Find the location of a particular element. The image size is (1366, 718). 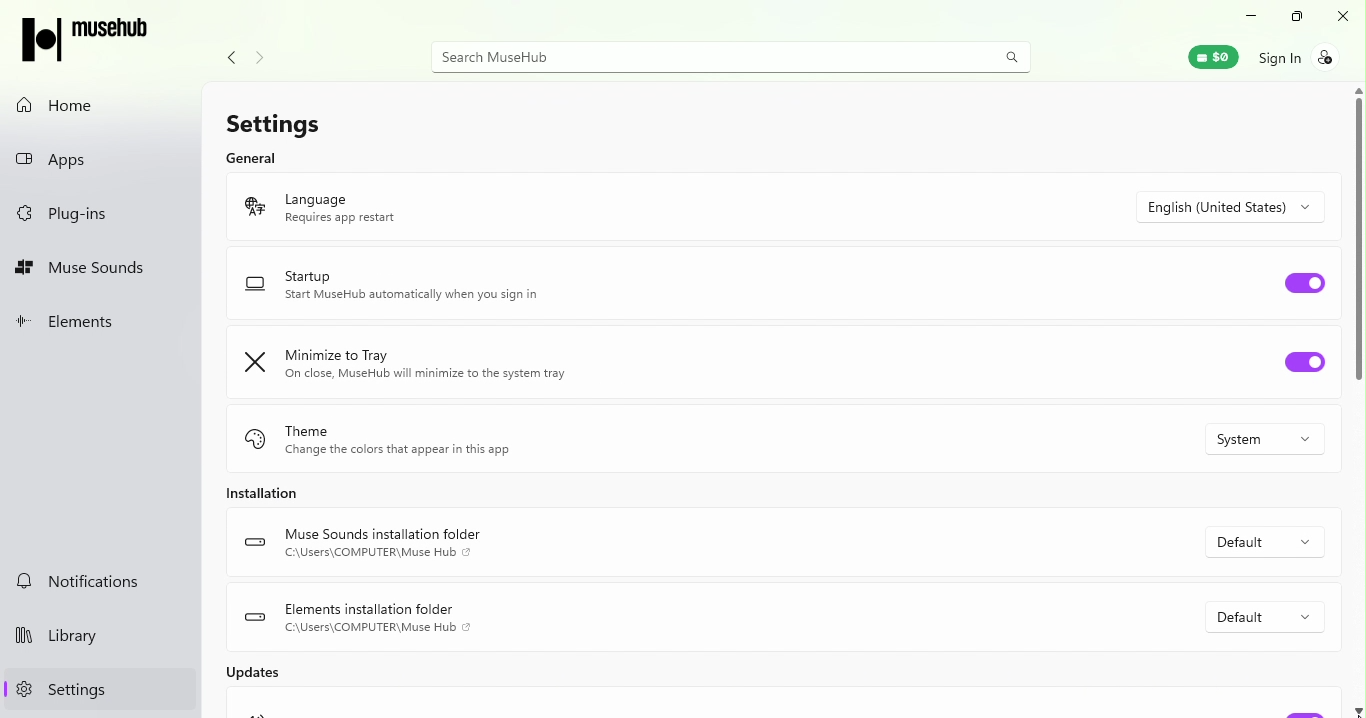

Installation is located at coordinates (266, 493).